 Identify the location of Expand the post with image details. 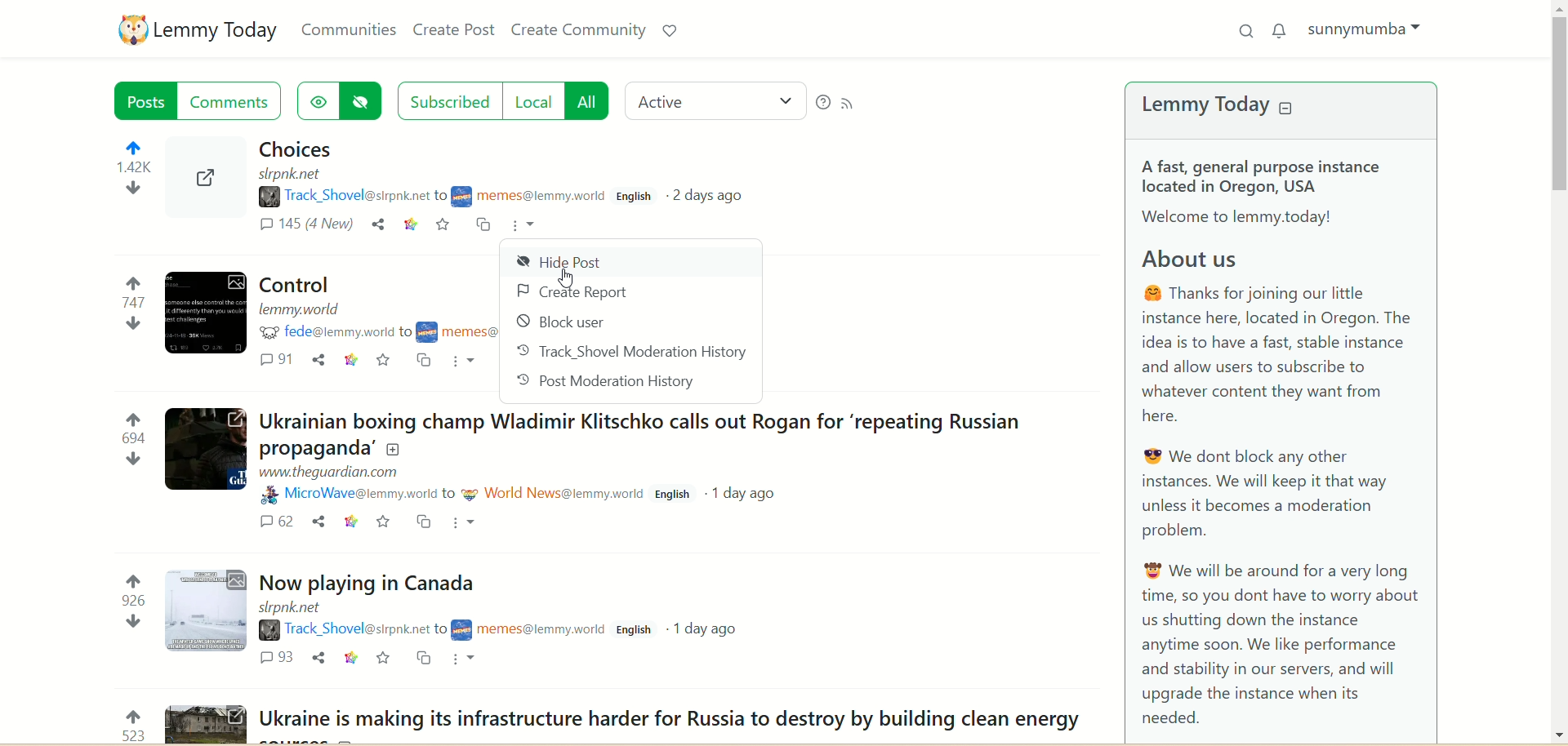
(203, 724).